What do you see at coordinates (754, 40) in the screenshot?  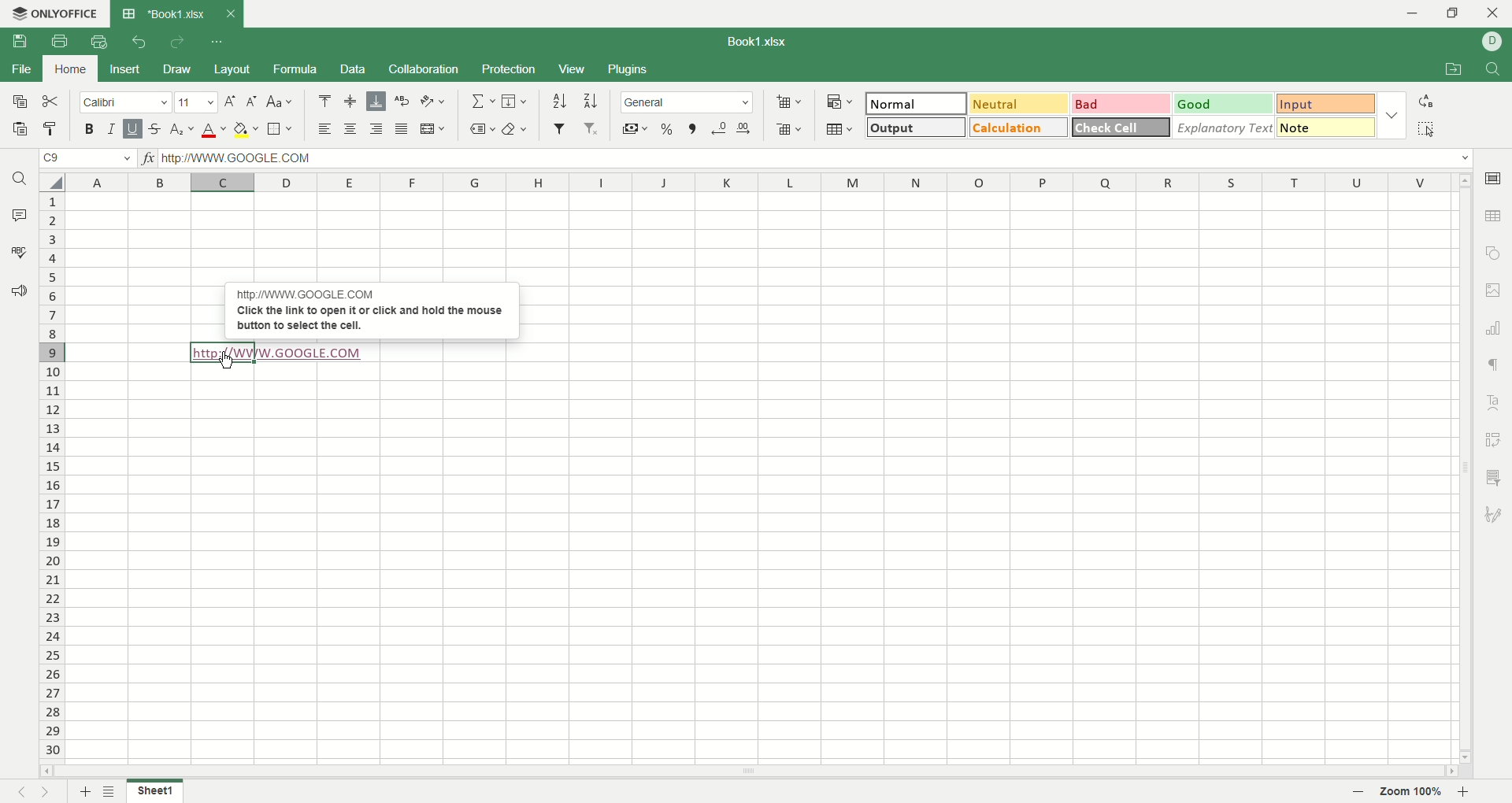 I see `book name` at bounding box center [754, 40].